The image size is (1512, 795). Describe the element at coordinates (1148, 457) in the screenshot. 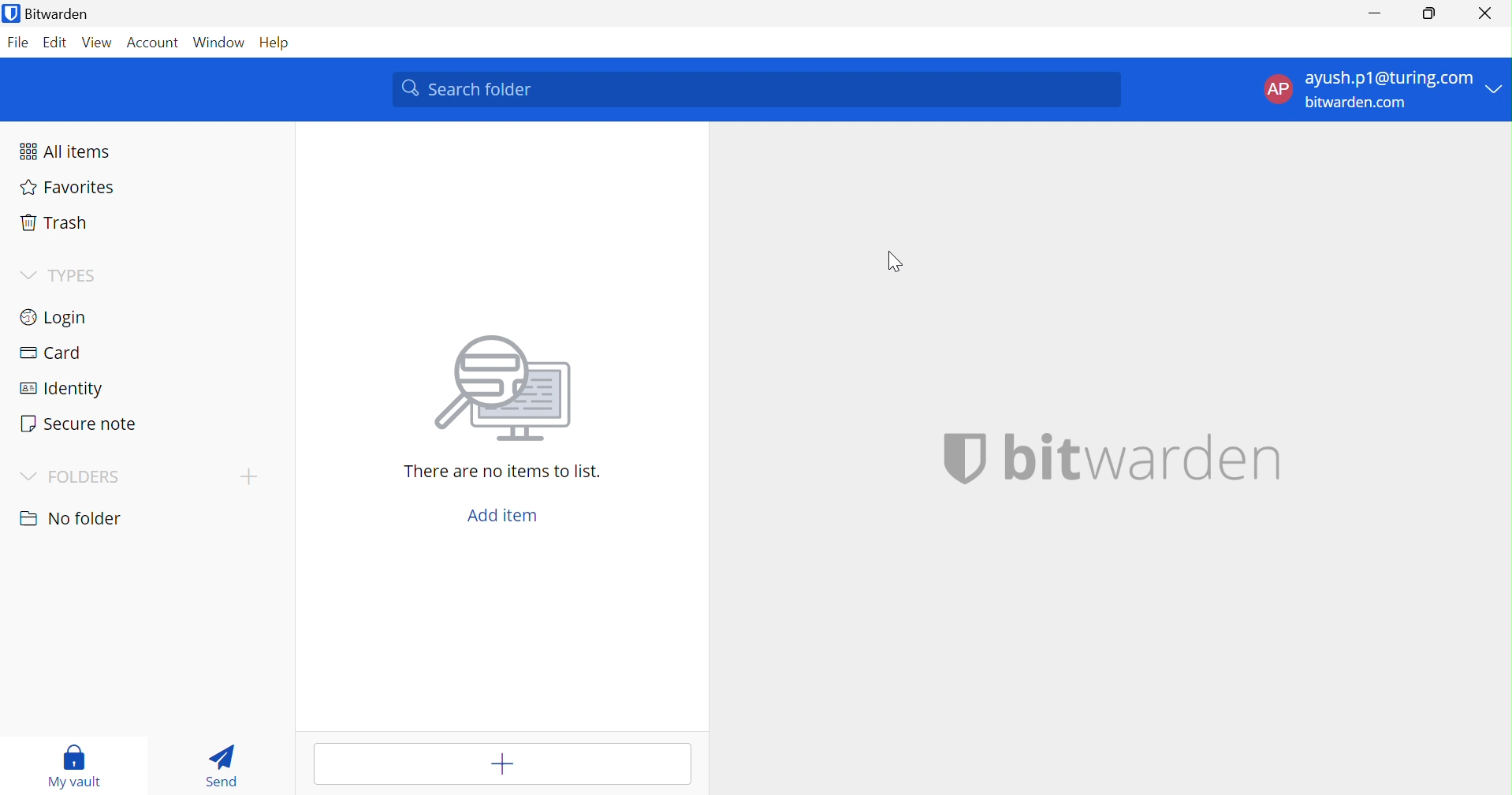

I see `bitwarden` at that location.